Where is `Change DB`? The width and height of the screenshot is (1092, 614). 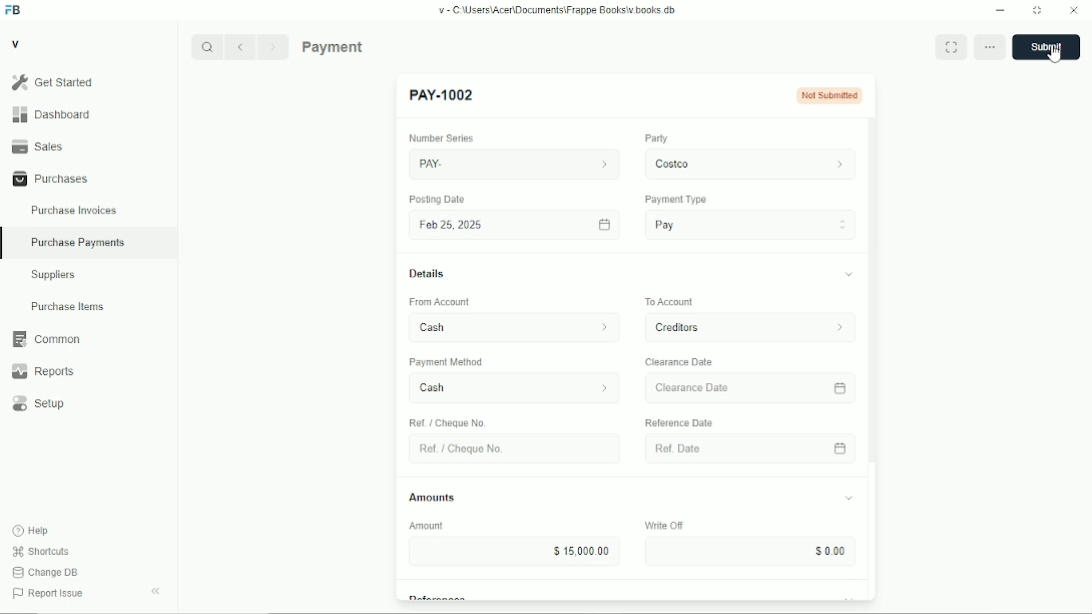
Change DB is located at coordinates (46, 573).